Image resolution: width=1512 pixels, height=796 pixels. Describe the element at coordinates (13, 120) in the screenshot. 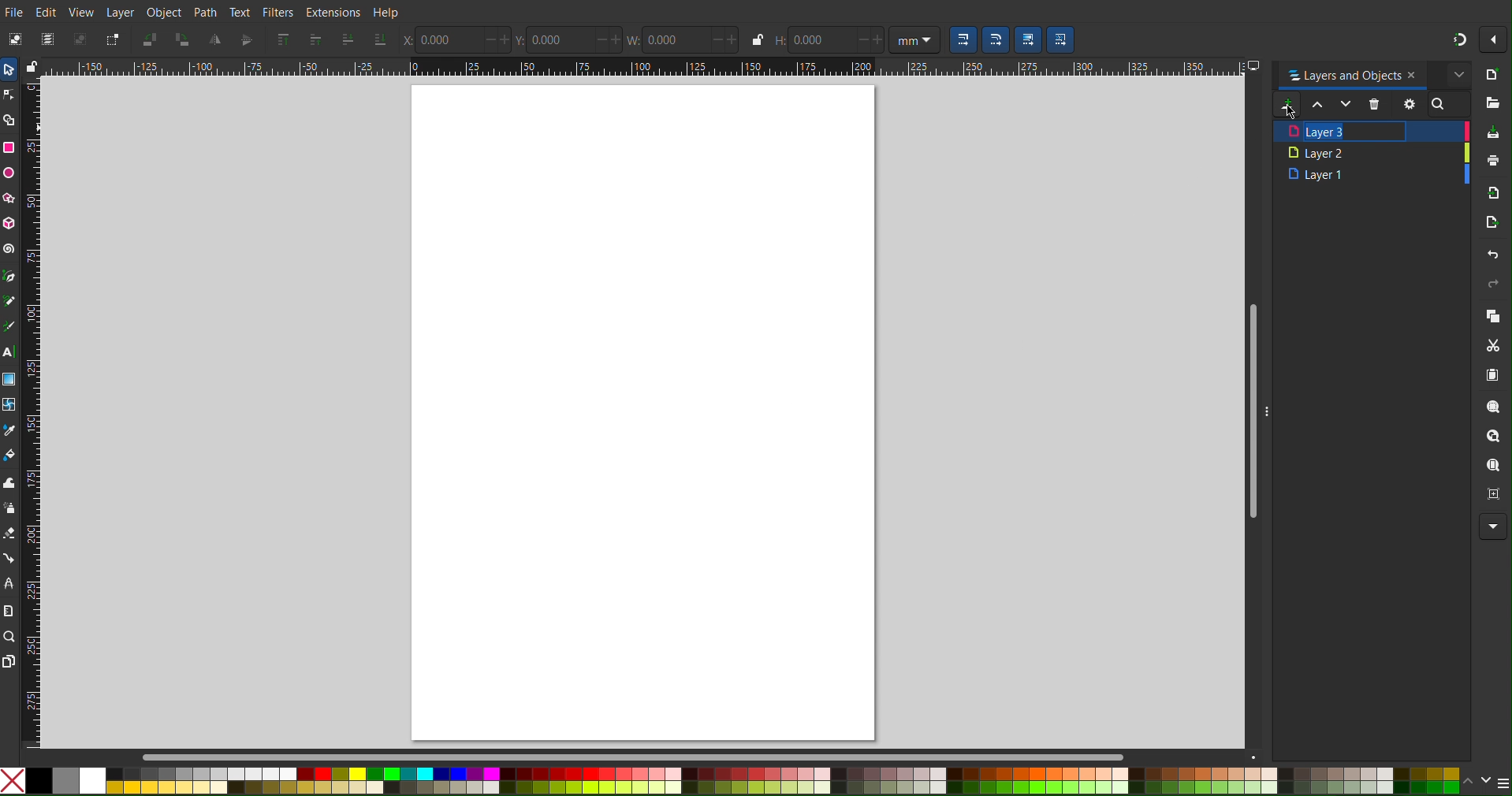

I see `Shape Builder Tool` at that location.